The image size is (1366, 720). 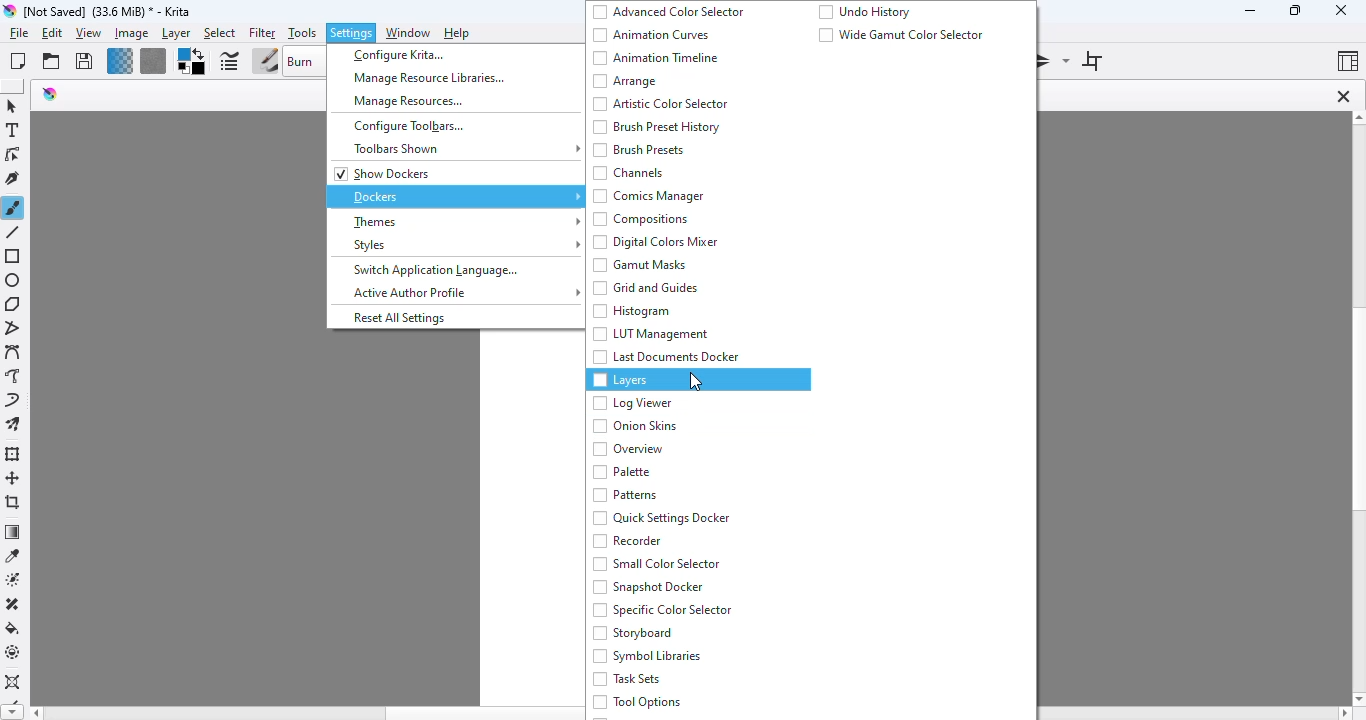 I want to click on move a layer, so click(x=13, y=478).